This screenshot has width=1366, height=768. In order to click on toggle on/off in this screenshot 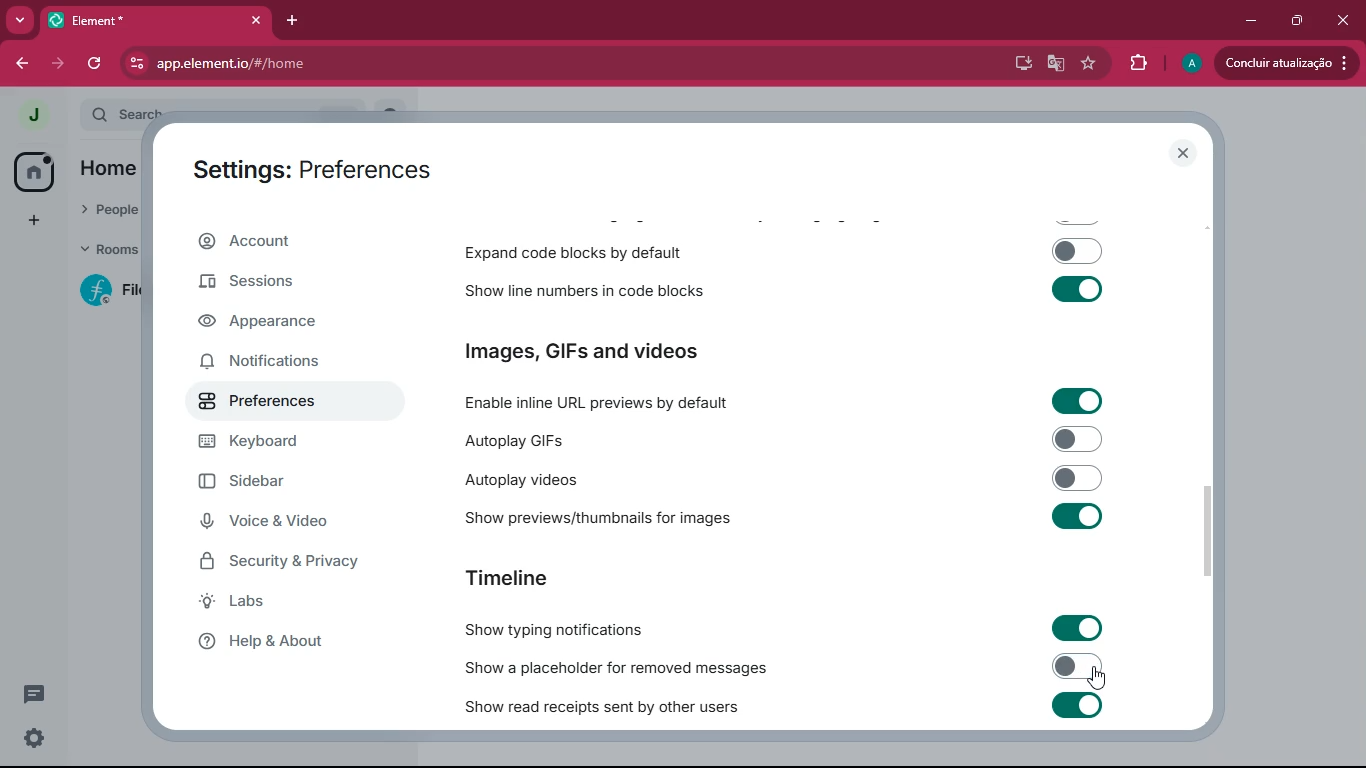, I will do `click(1076, 705)`.